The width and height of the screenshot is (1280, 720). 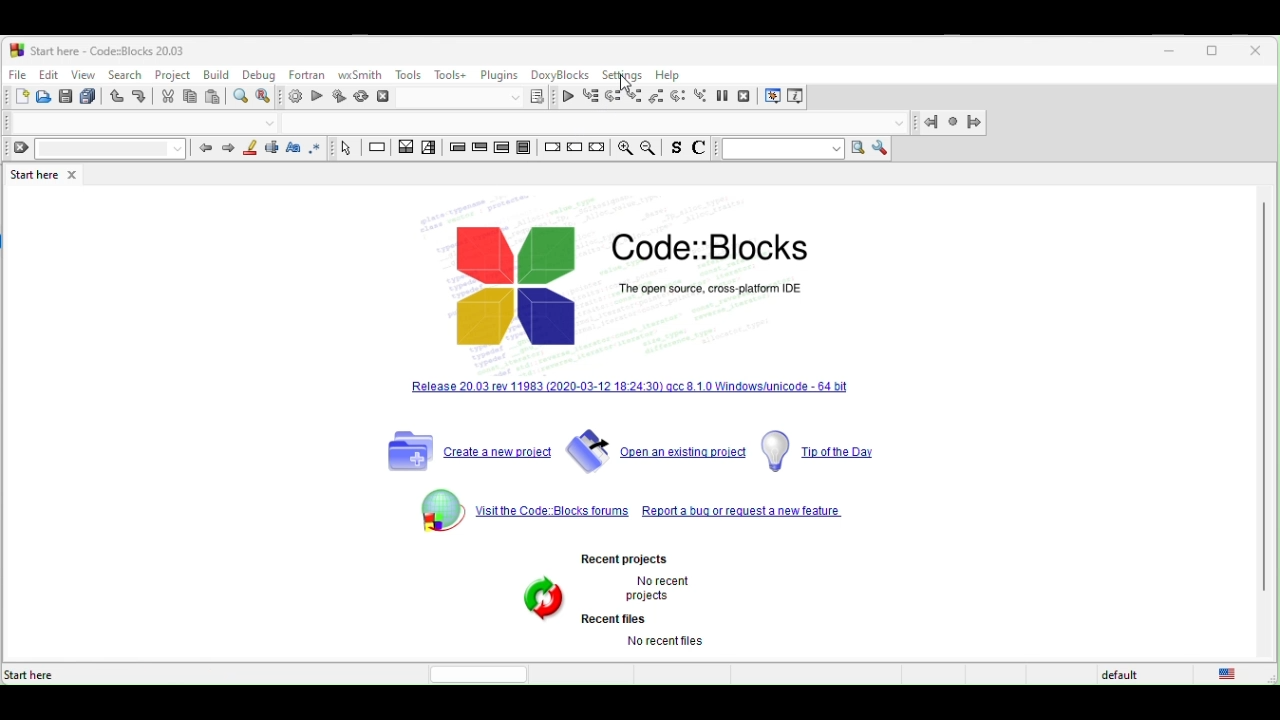 I want to click on doxyblocks, so click(x=562, y=75).